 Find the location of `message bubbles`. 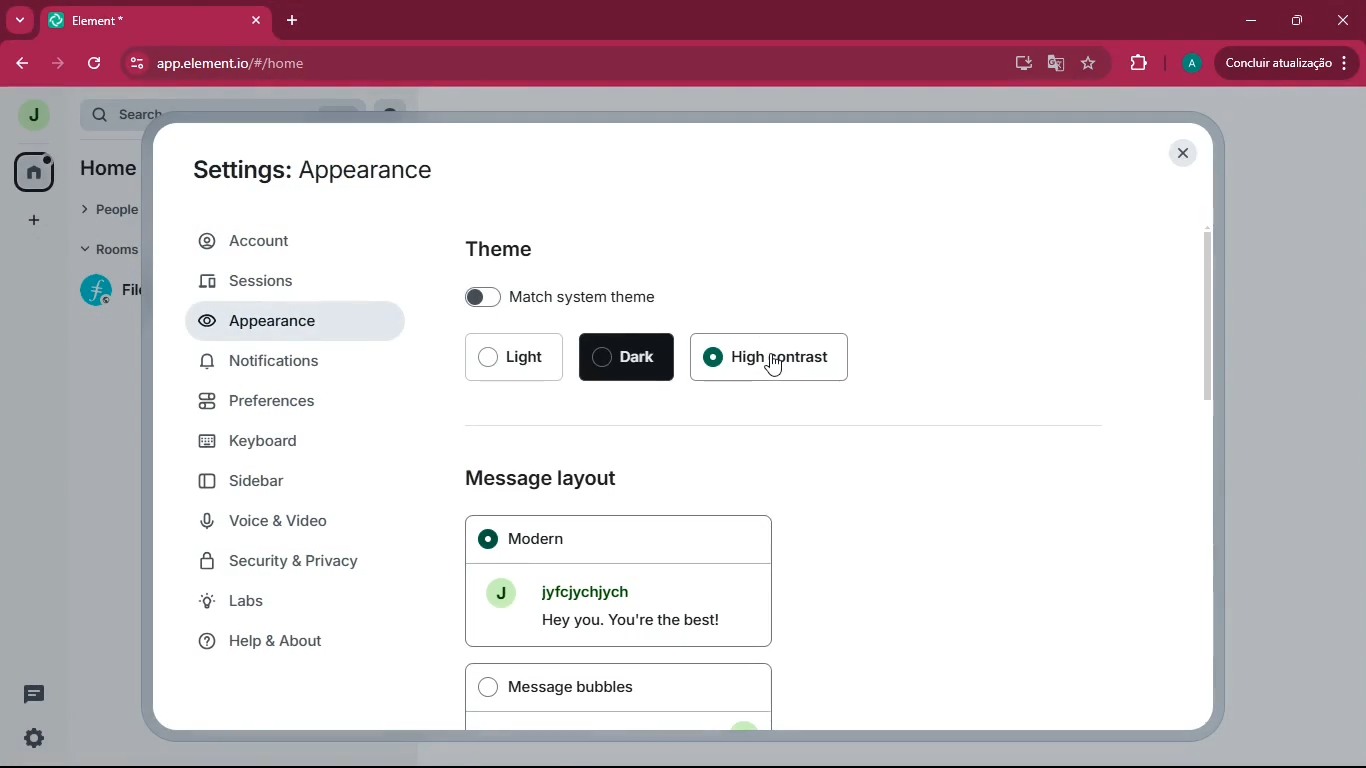

message bubbles is located at coordinates (631, 694).